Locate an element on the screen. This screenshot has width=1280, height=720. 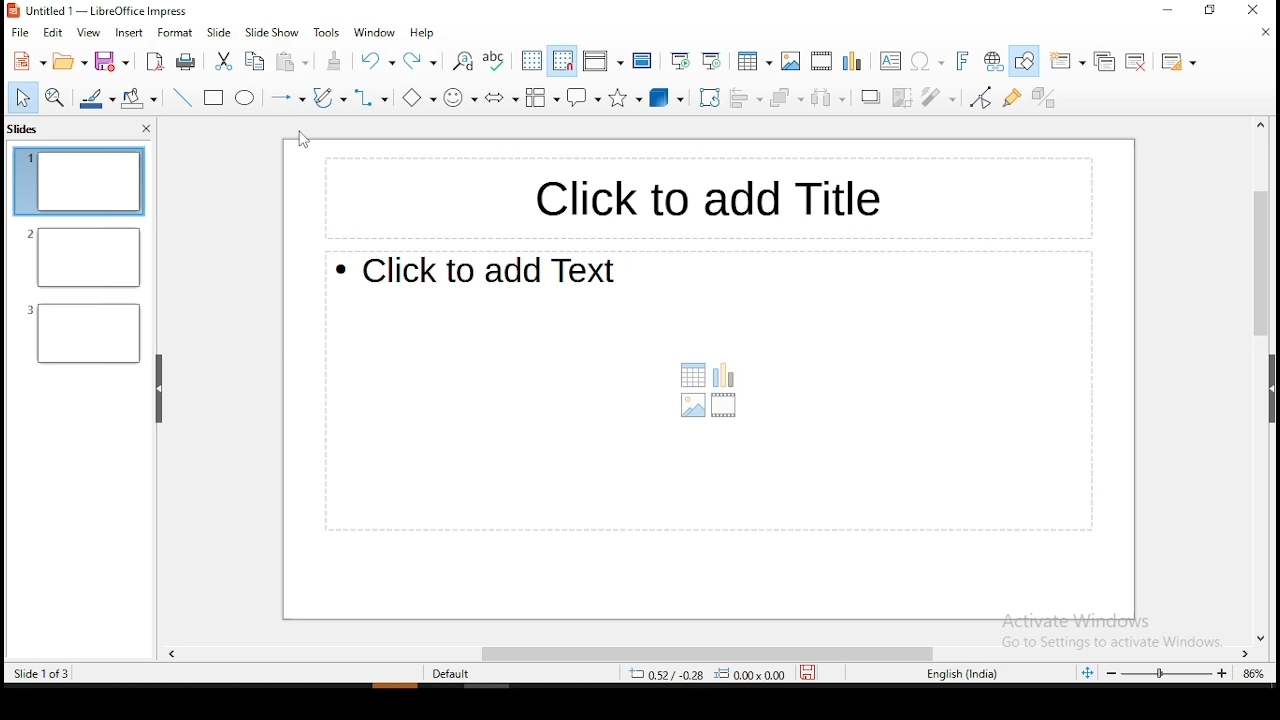
show draw functions is located at coordinates (1024, 61).